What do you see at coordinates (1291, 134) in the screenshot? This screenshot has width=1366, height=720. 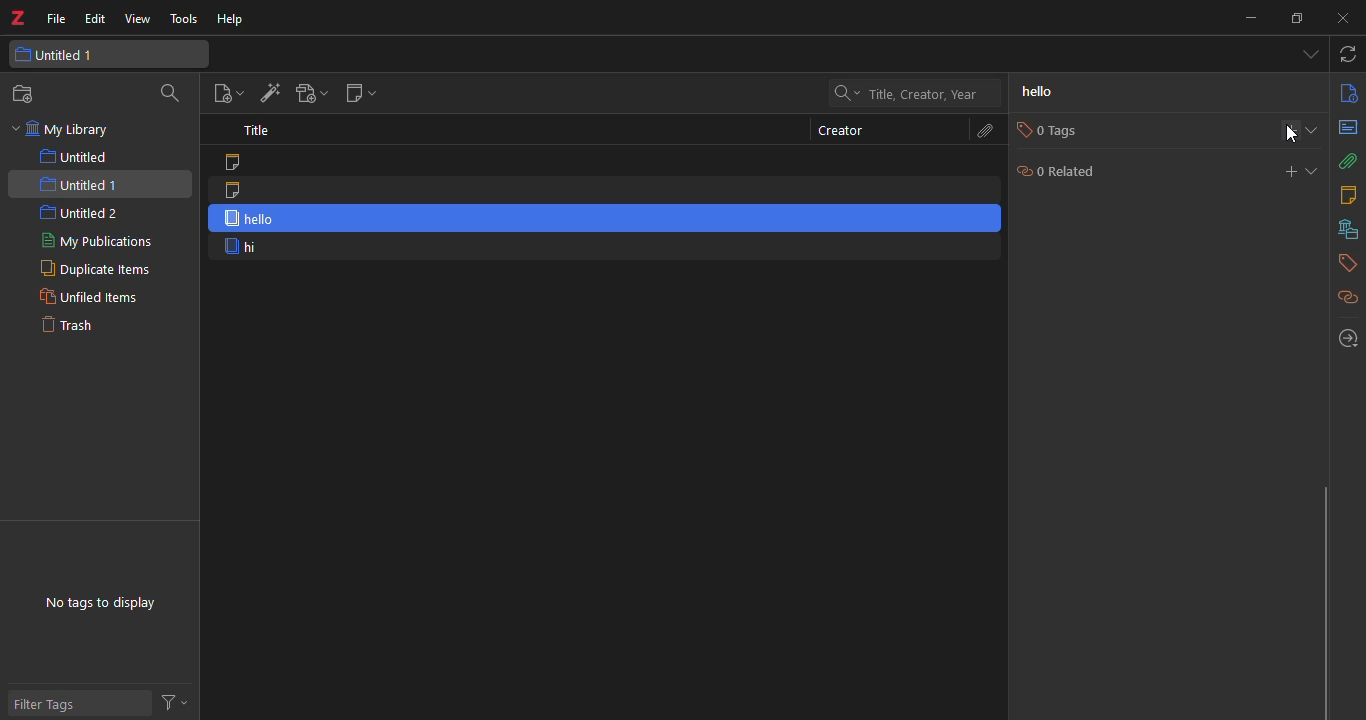 I see `cursor` at bounding box center [1291, 134].